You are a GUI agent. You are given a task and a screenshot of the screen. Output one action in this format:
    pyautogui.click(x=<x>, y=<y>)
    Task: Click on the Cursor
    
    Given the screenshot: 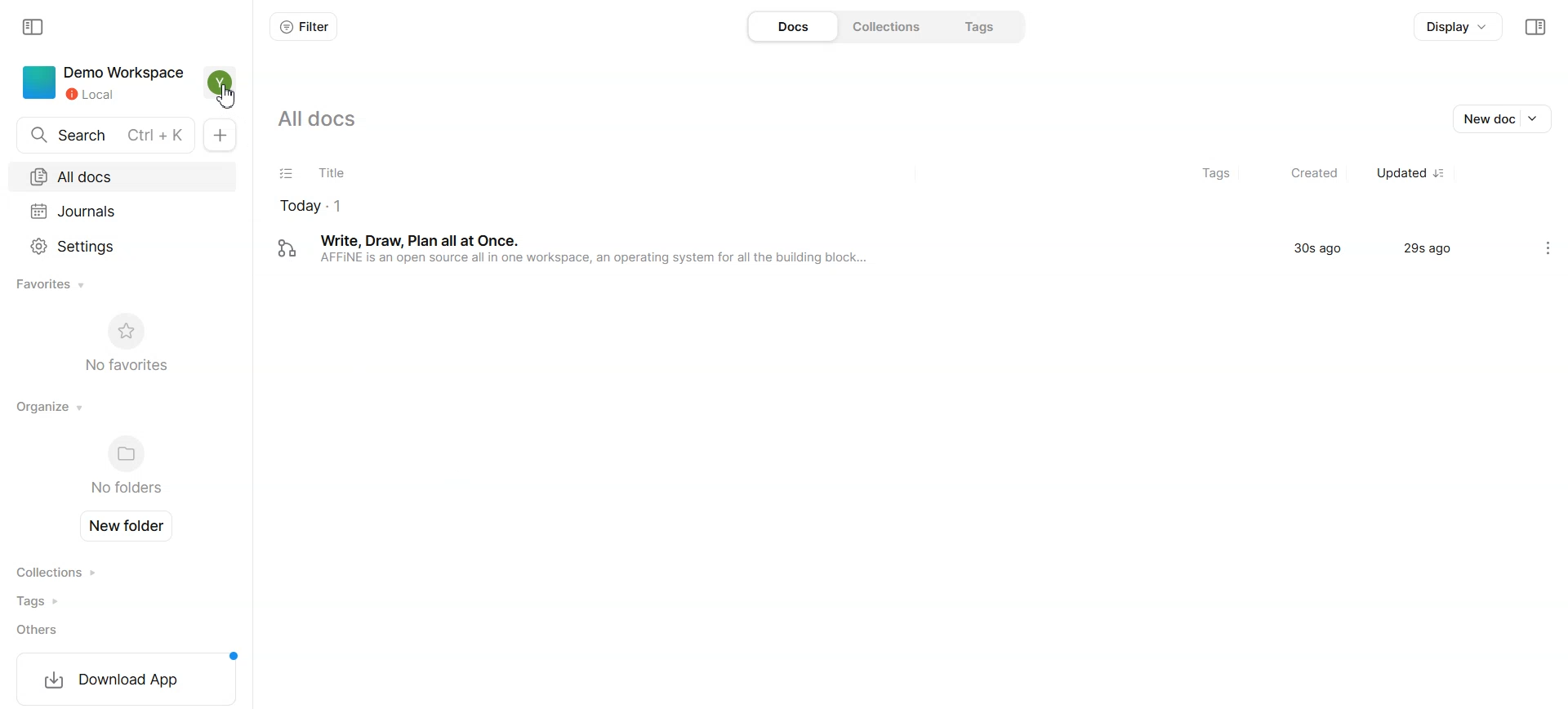 What is the action you would take?
    pyautogui.click(x=227, y=96)
    